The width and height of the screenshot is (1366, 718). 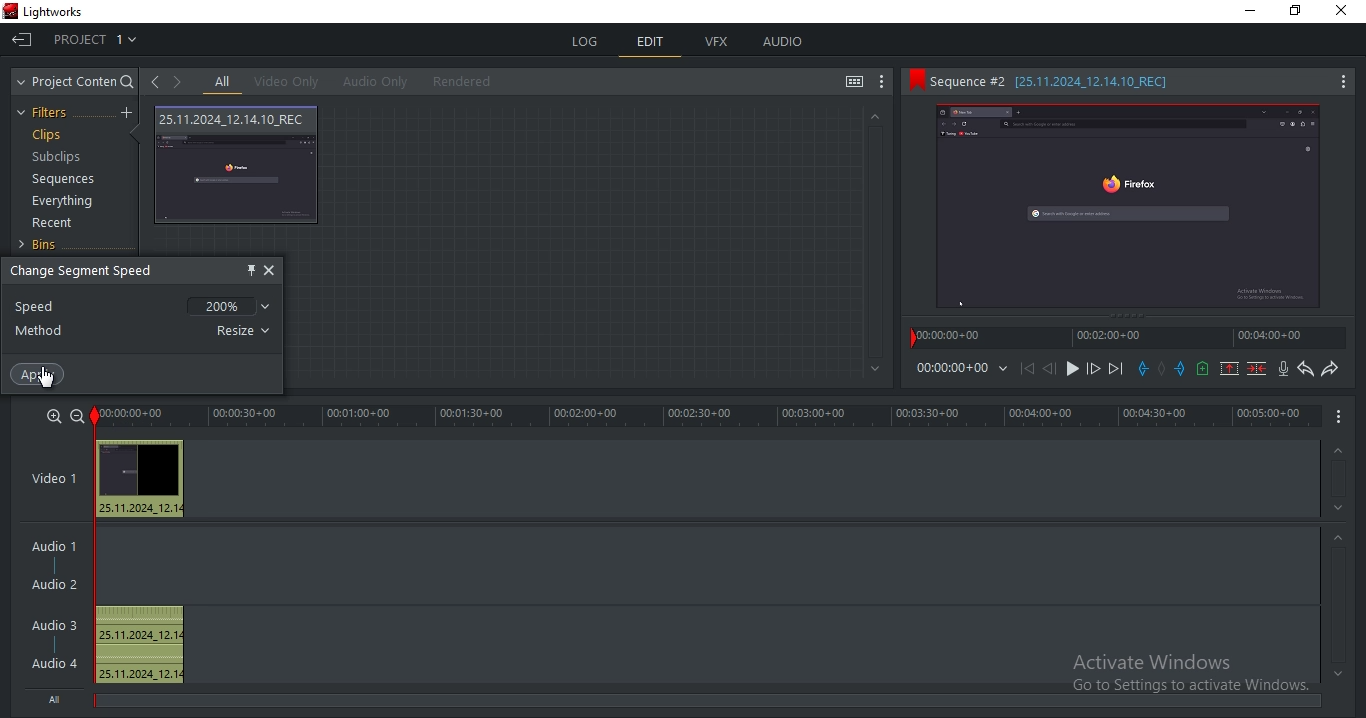 What do you see at coordinates (1041, 370) in the screenshot?
I see `` at bounding box center [1041, 370].